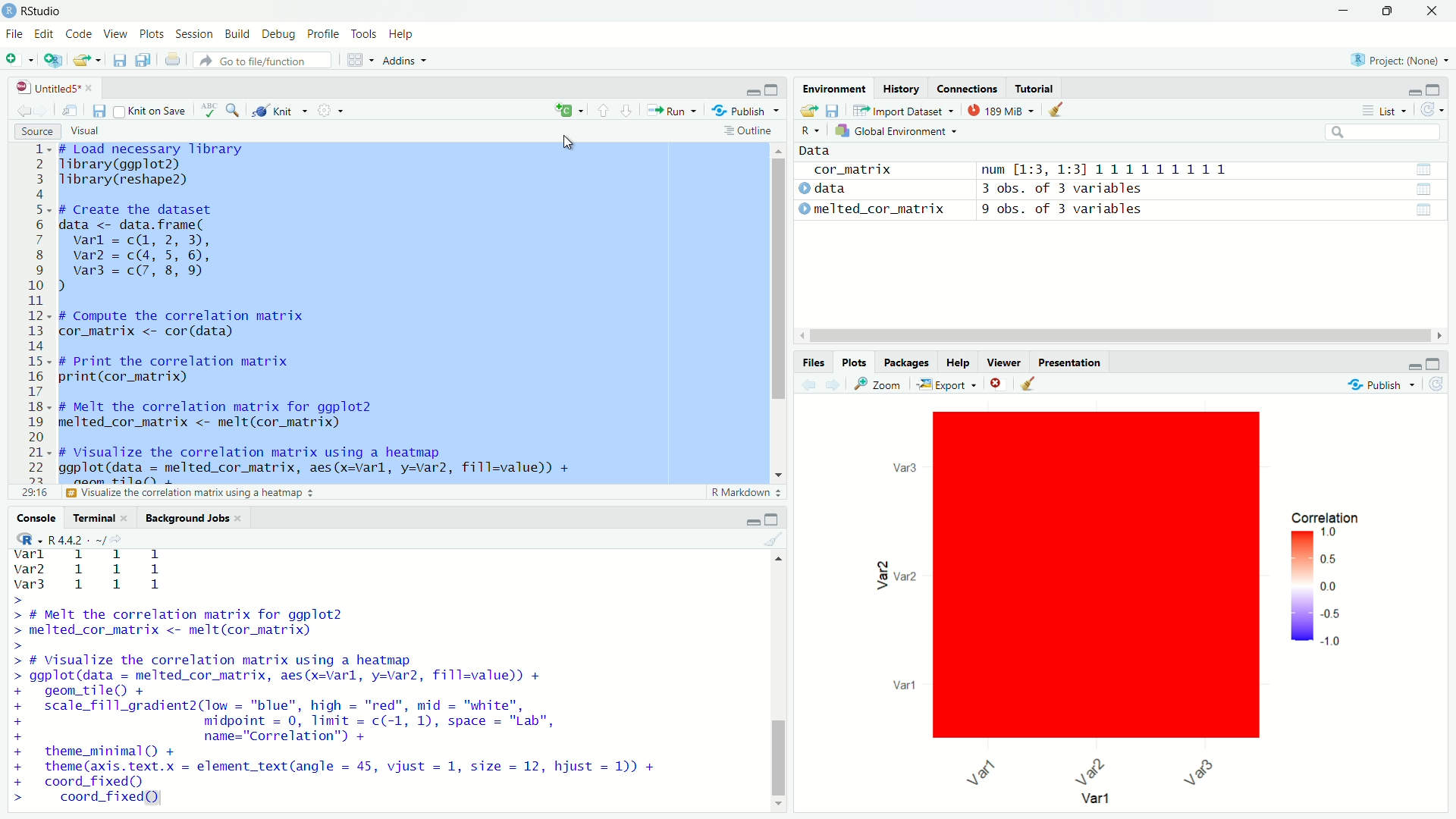 The height and width of the screenshot is (819, 1456). Describe the element at coordinates (1057, 108) in the screenshot. I see `clear objects` at that location.